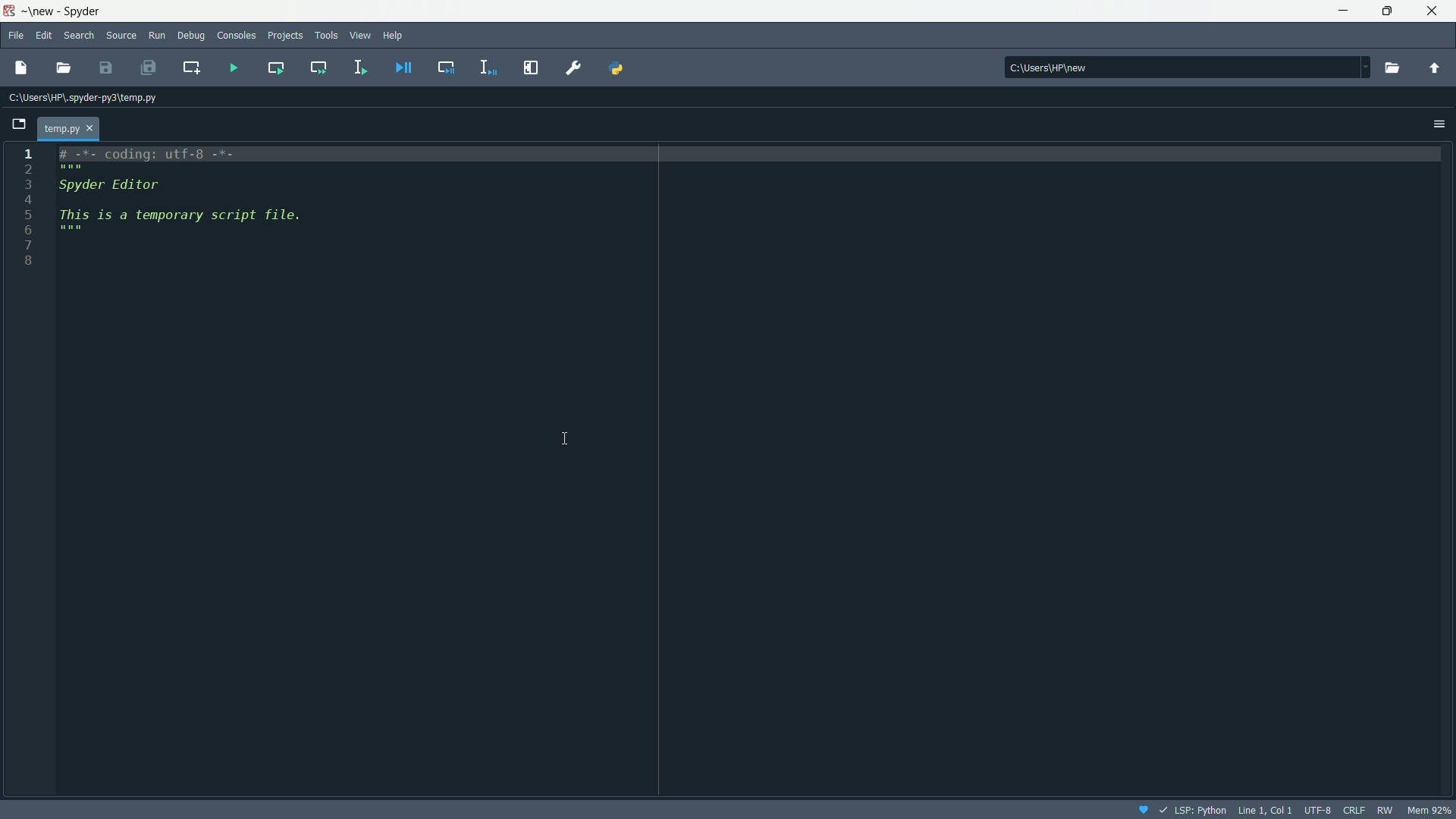 The height and width of the screenshot is (819, 1456). Describe the element at coordinates (158, 33) in the screenshot. I see `Run` at that location.